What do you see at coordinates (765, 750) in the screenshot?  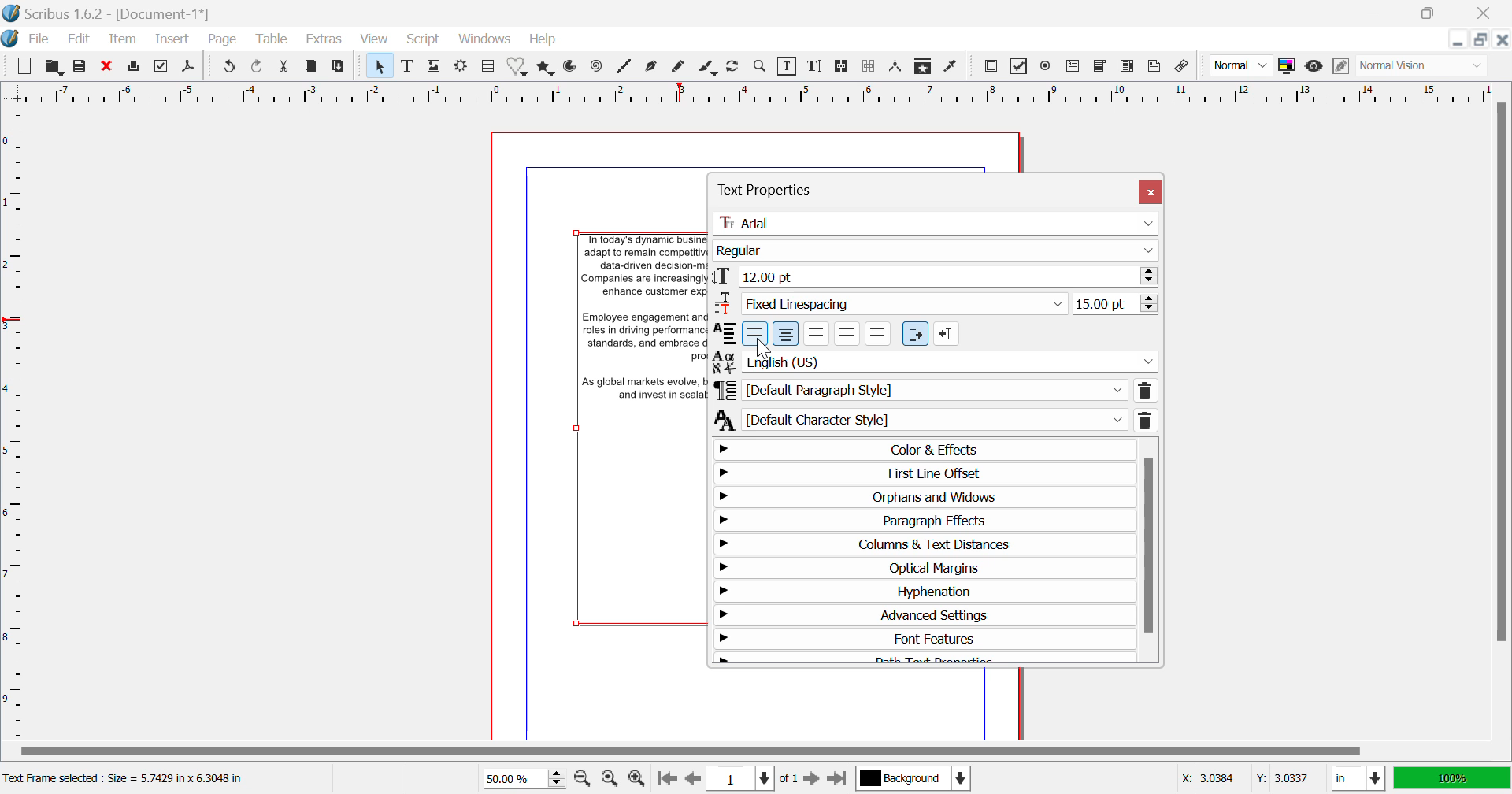 I see `Scroll Bar` at bounding box center [765, 750].